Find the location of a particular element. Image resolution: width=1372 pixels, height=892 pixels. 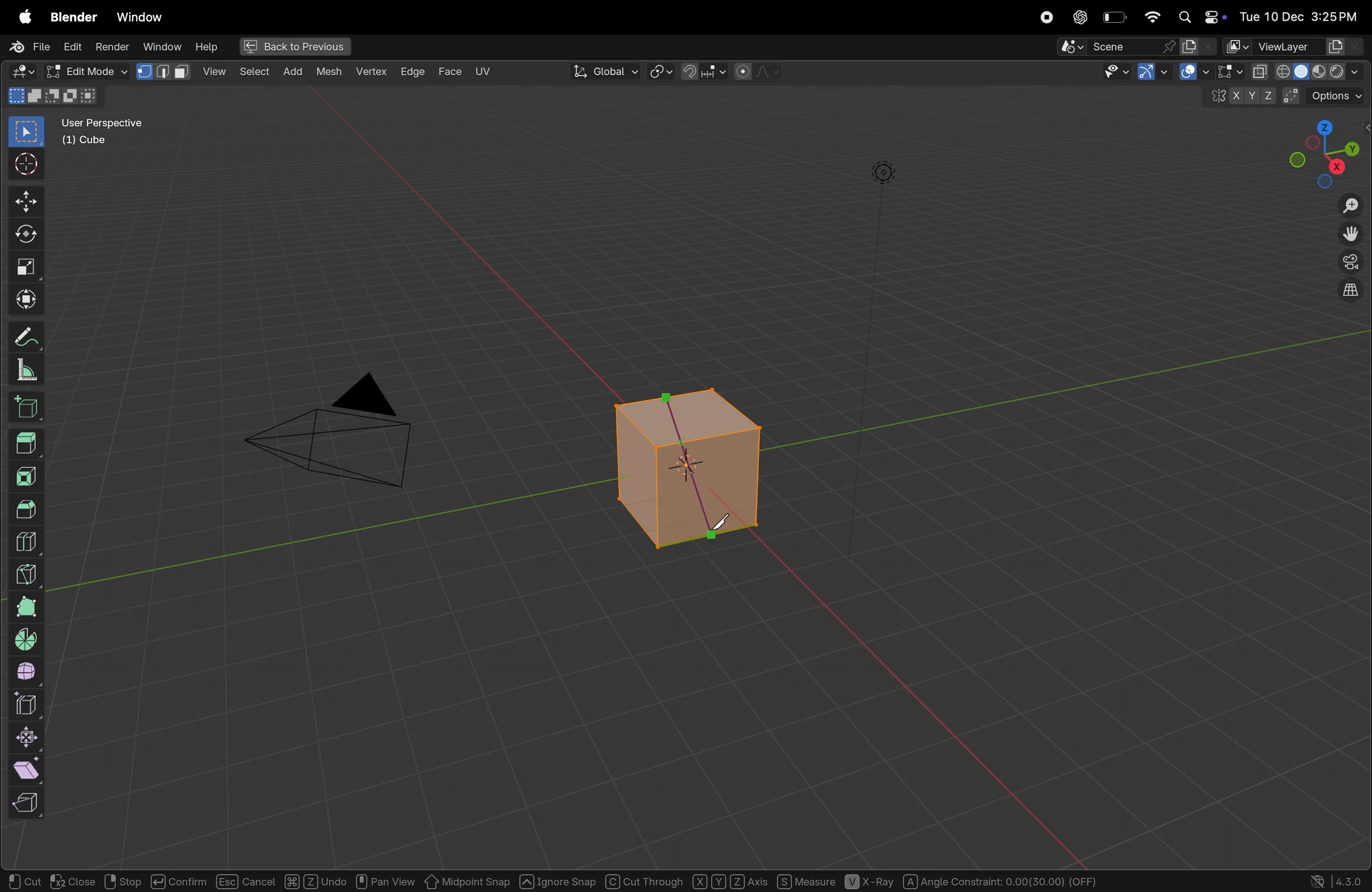

Edit is located at coordinates (73, 46).